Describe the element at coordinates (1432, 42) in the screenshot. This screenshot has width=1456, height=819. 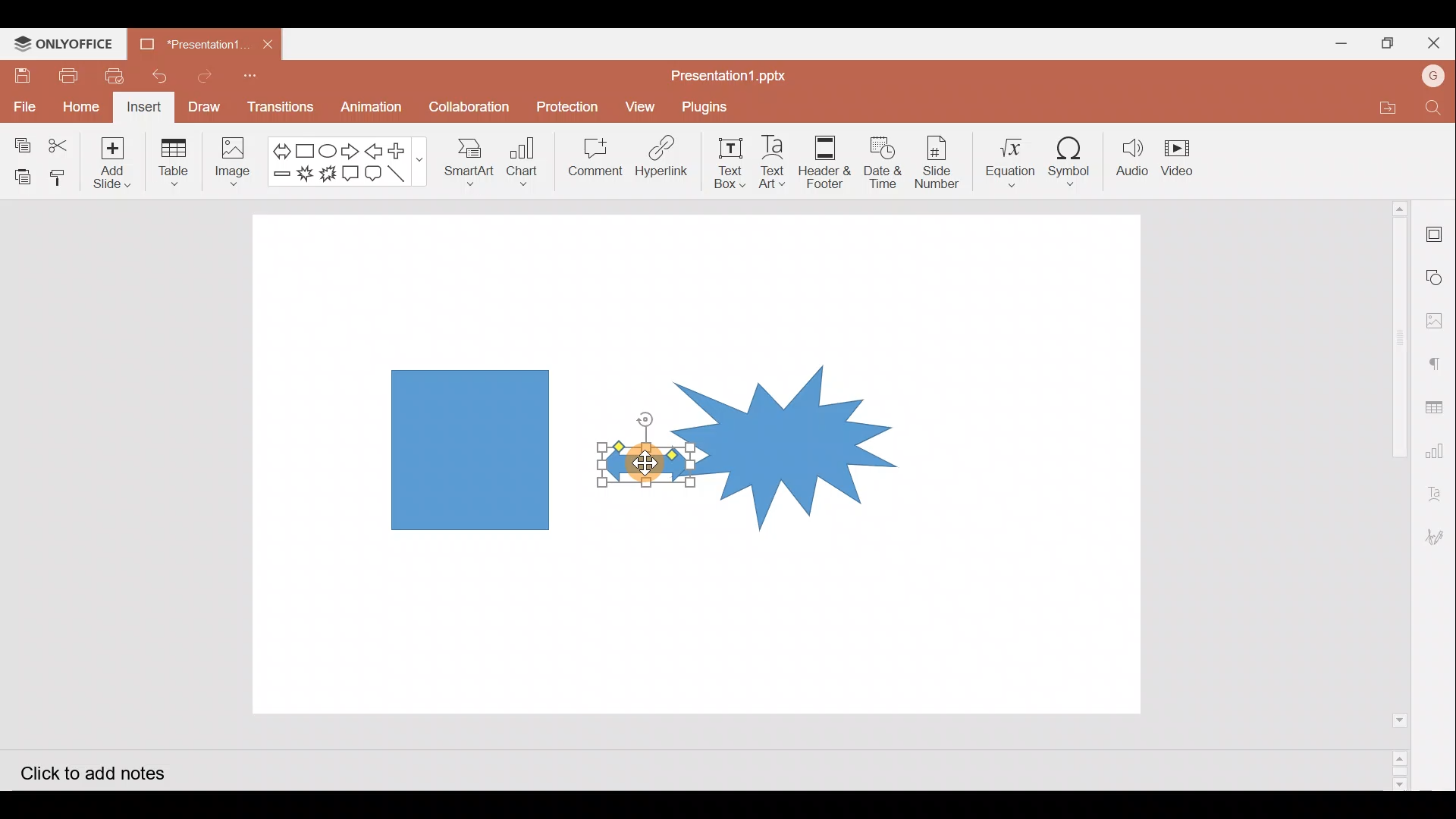
I see `Close` at that location.